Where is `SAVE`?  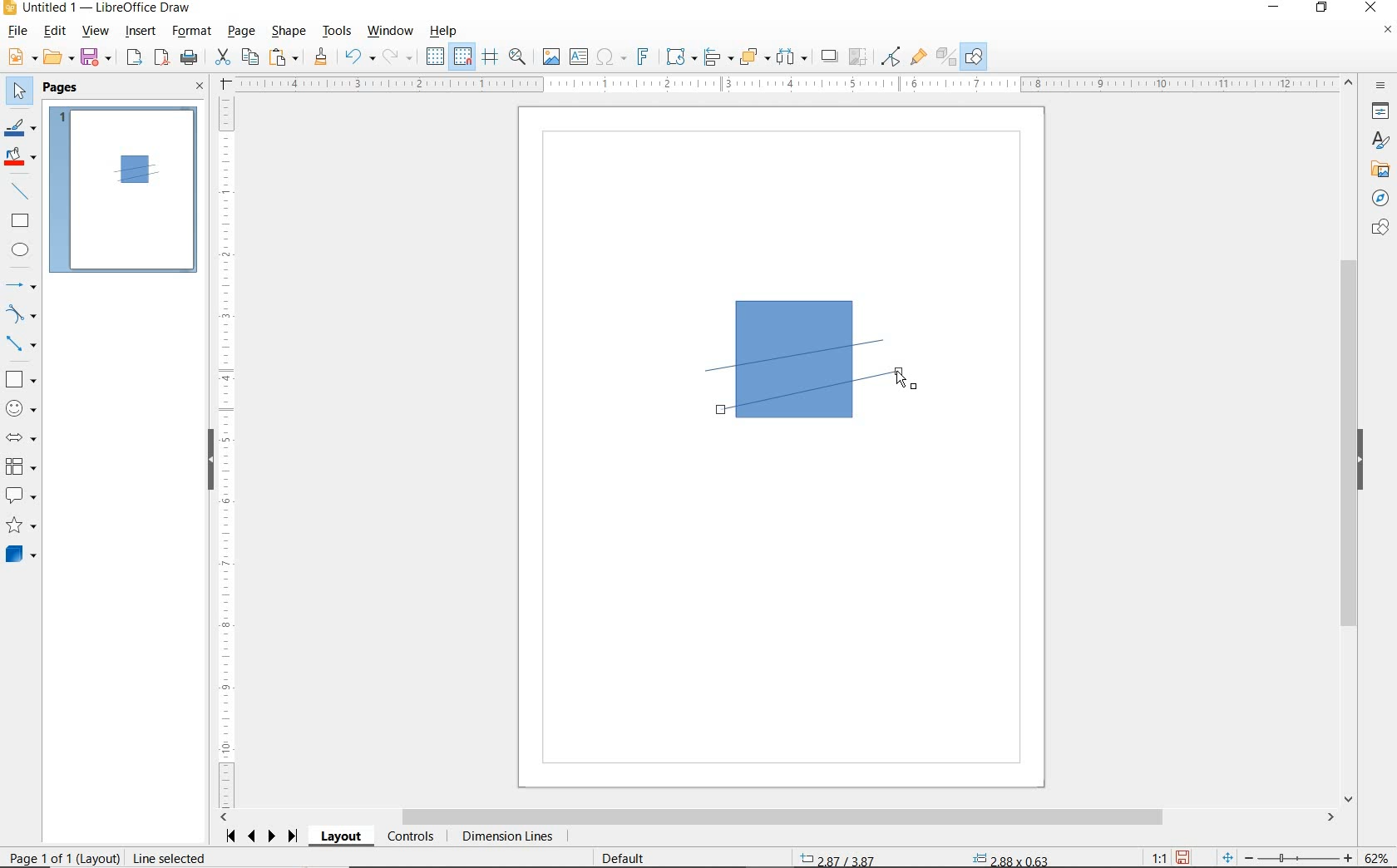 SAVE is located at coordinates (1182, 857).